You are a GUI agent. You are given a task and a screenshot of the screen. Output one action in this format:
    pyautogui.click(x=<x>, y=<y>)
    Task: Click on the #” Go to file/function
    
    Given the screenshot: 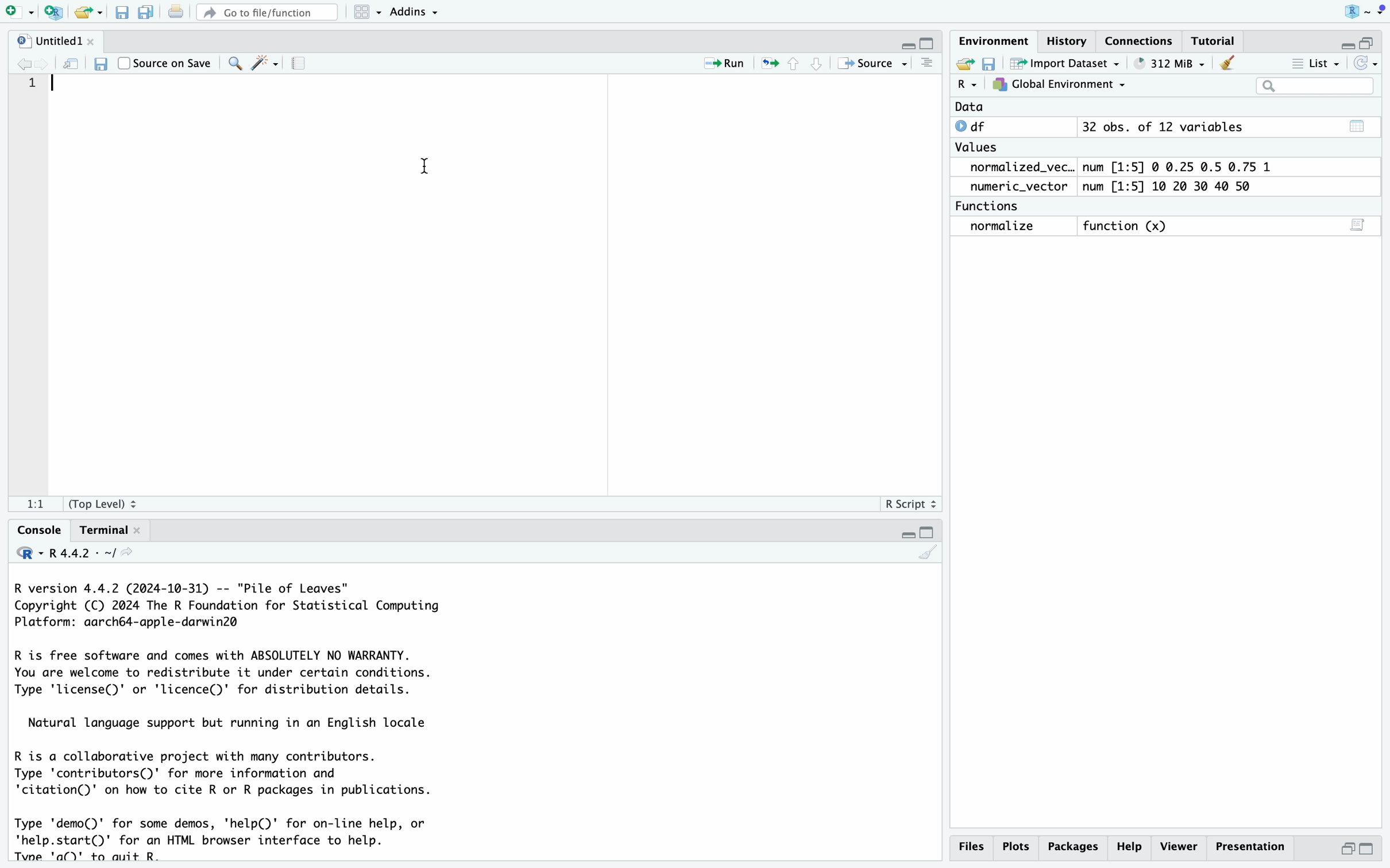 What is the action you would take?
    pyautogui.click(x=265, y=10)
    